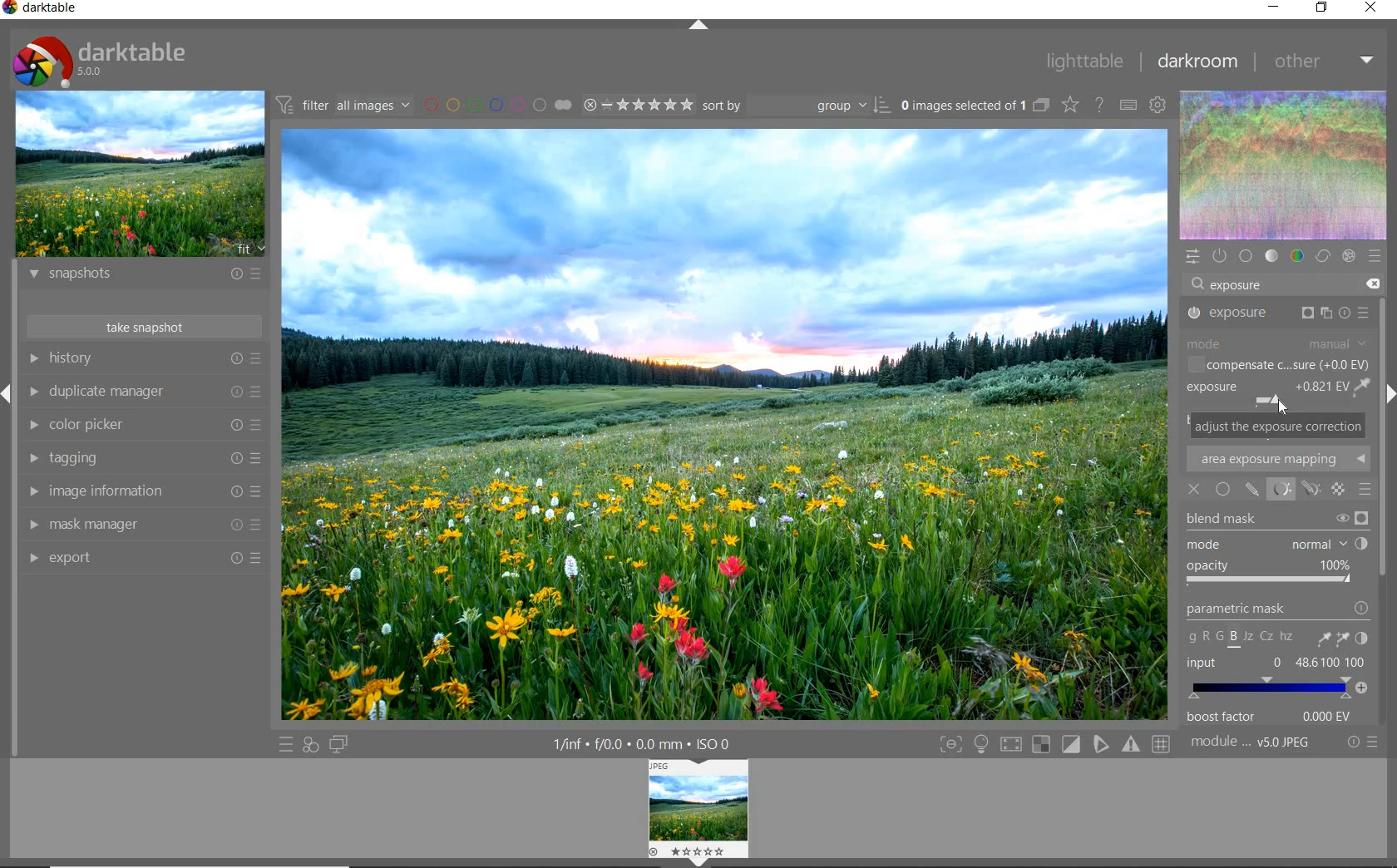 The width and height of the screenshot is (1397, 868). Describe the element at coordinates (146, 277) in the screenshot. I see `snapshots` at that location.